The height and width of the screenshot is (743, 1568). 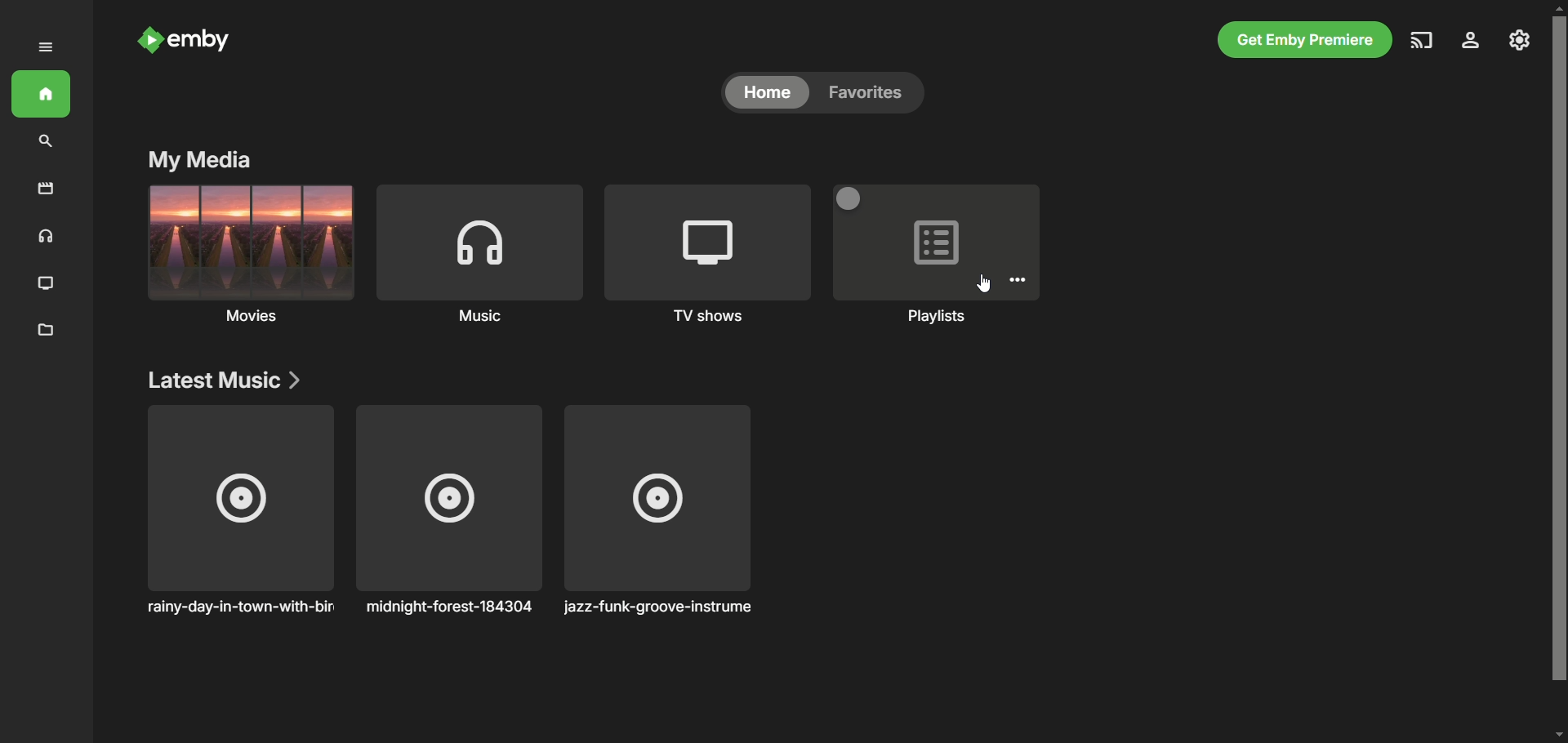 I want to click on movies, so click(x=251, y=255).